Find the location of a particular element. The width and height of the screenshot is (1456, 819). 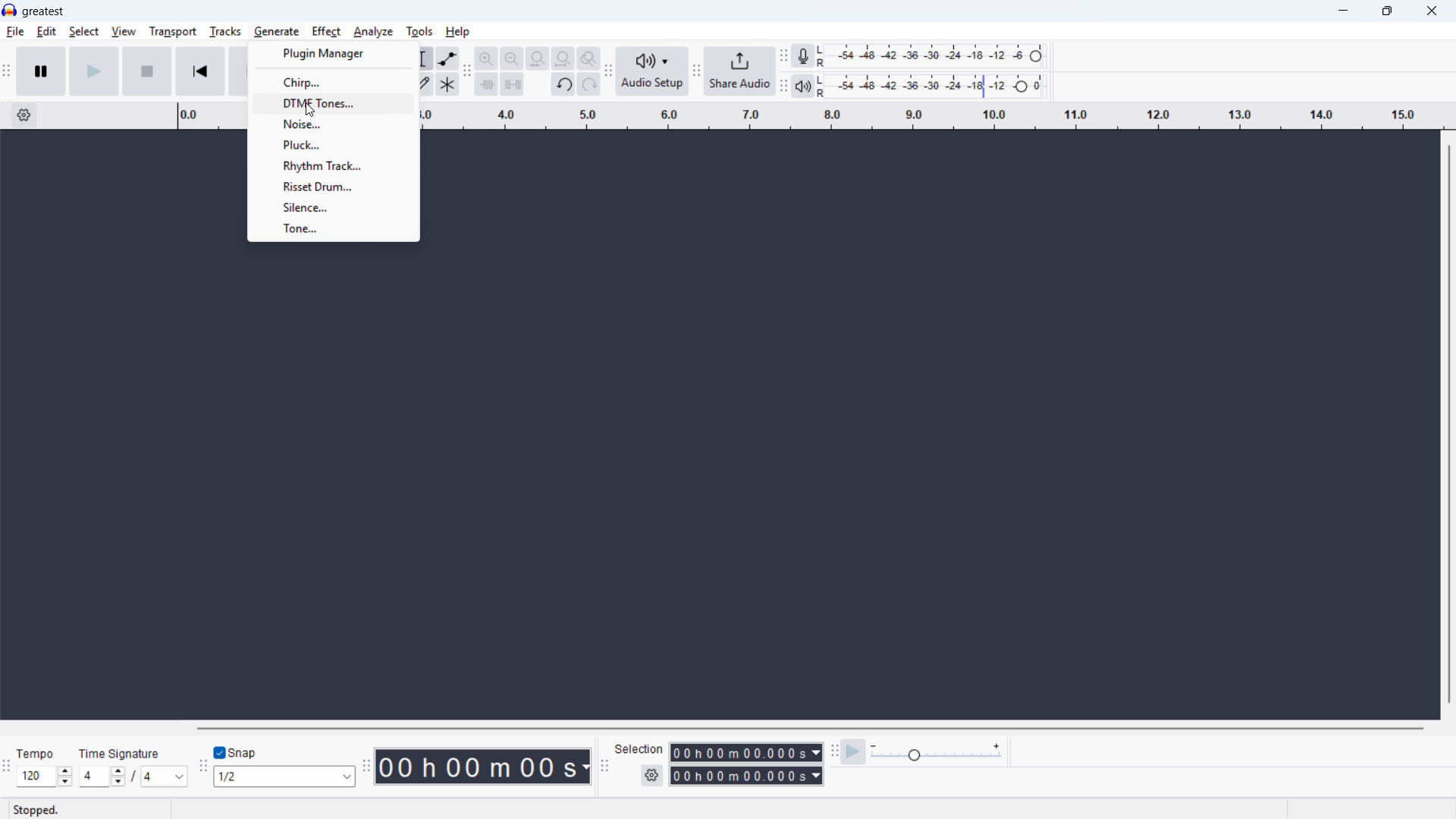

Set time signature  is located at coordinates (133, 776).